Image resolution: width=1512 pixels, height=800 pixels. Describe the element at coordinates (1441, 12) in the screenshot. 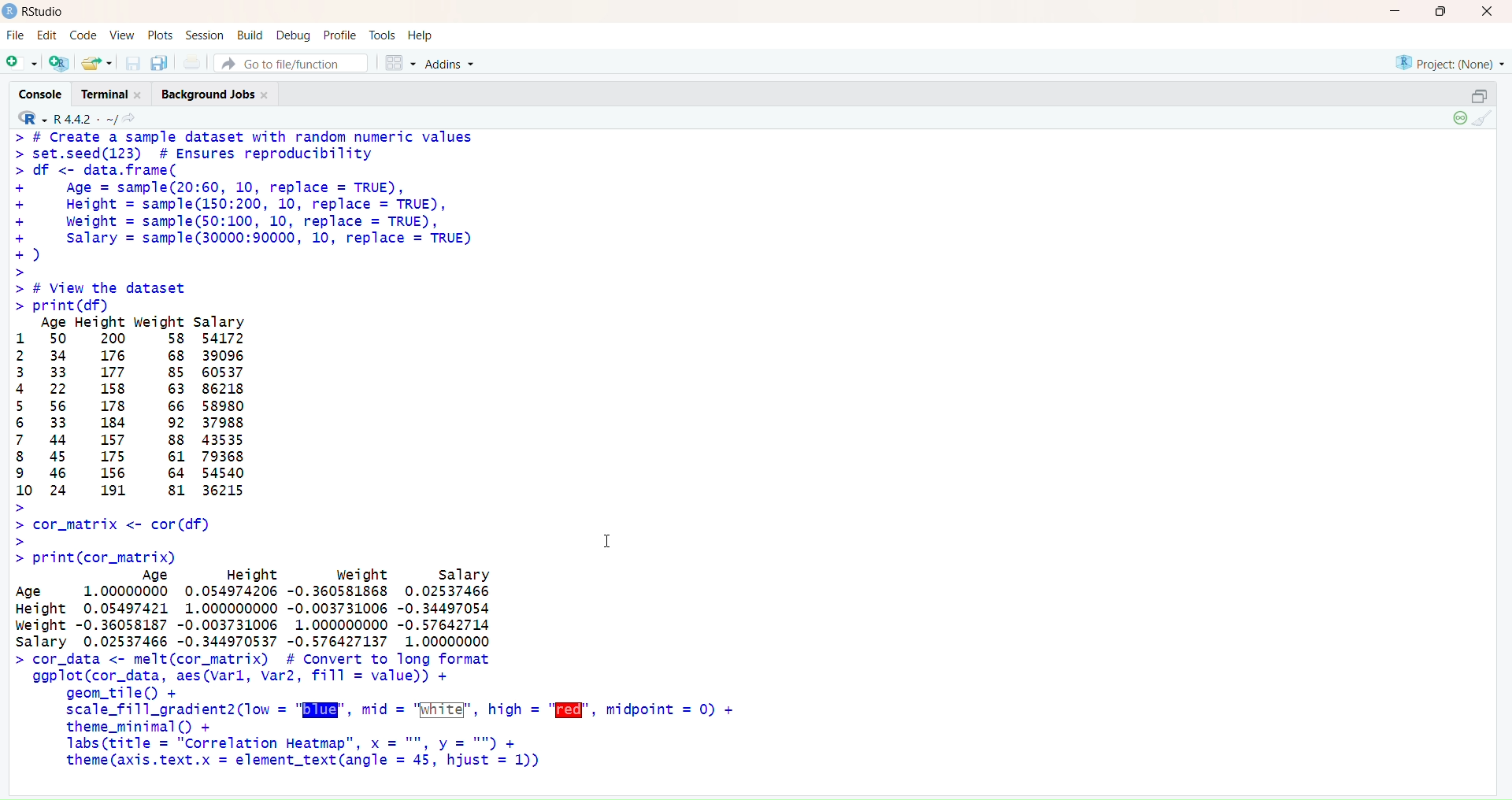

I see `Maximize` at that location.